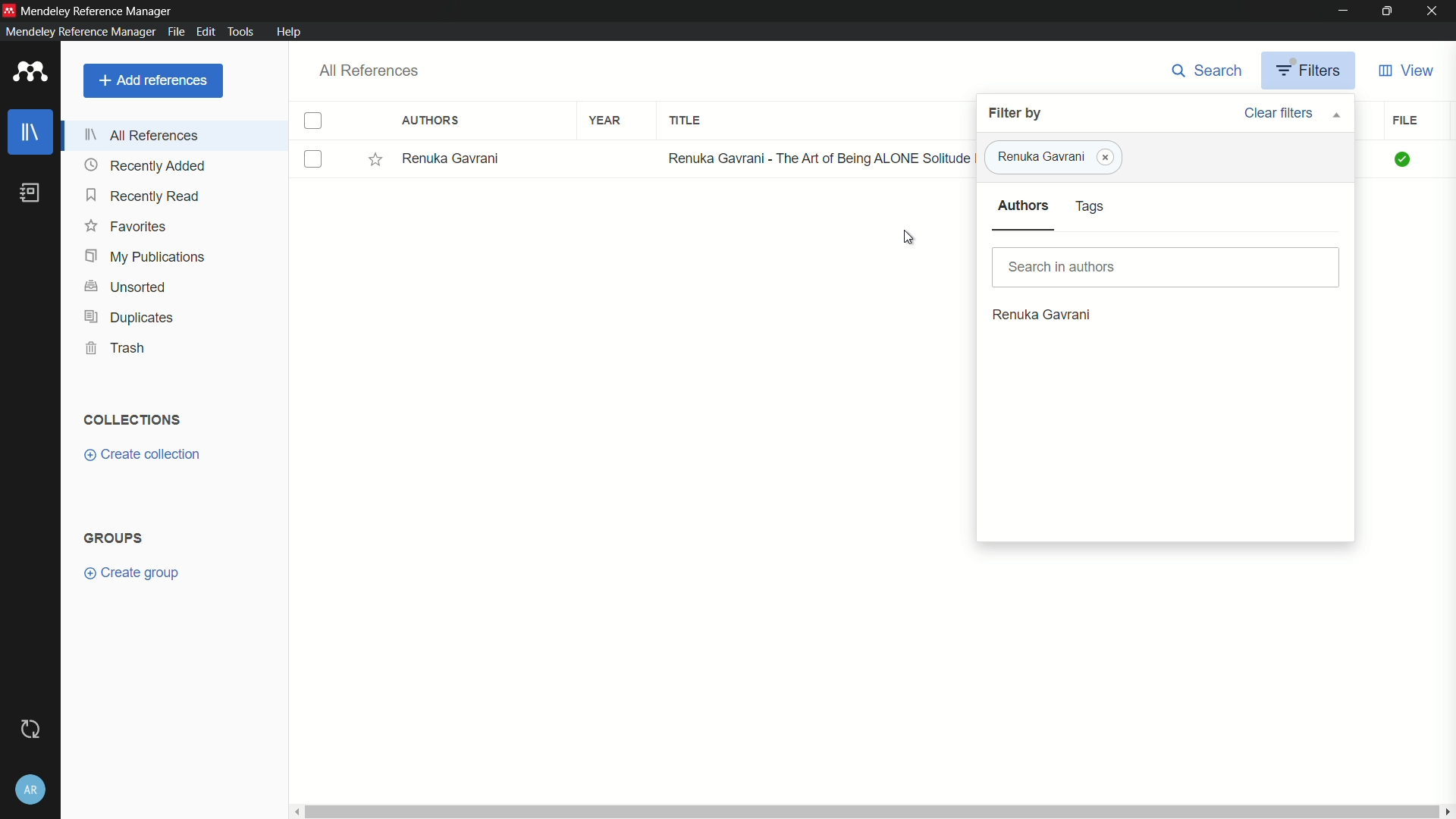 This screenshot has height=819, width=1456. What do you see at coordinates (606, 121) in the screenshot?
I see `year` at bounding box center [606, 121].